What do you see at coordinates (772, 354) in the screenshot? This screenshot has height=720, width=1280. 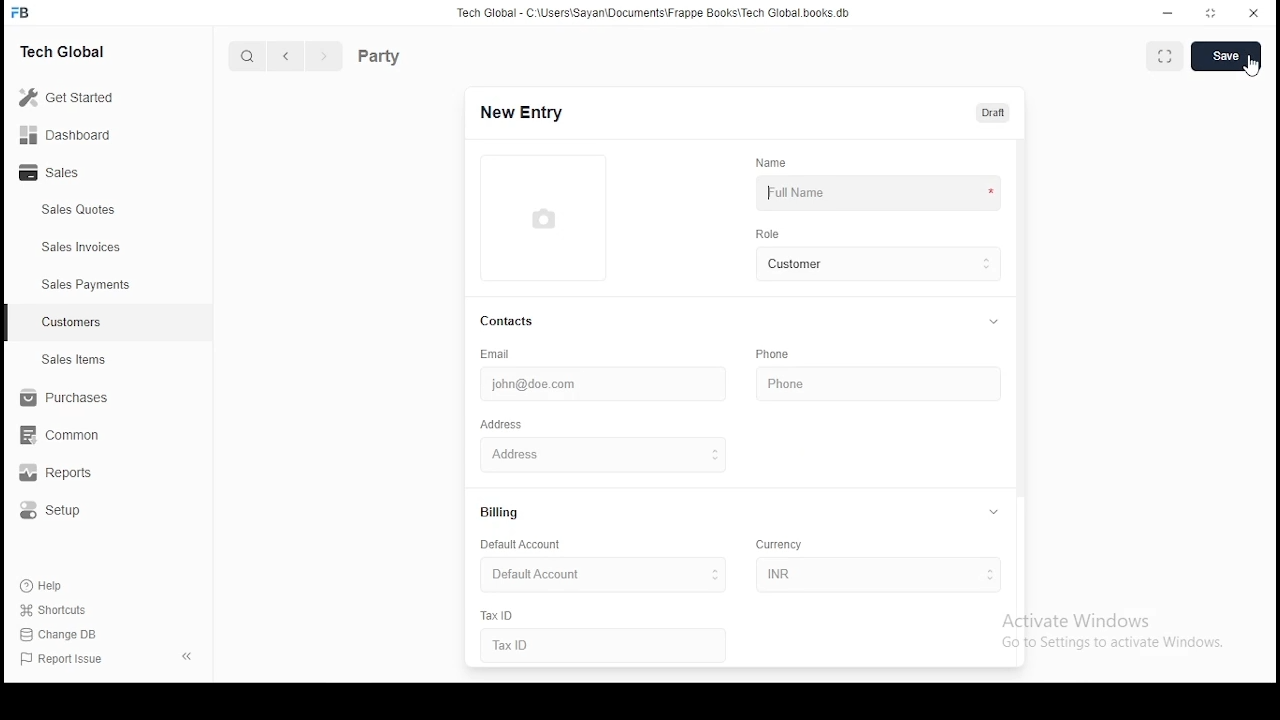 I see `phone` at bounding box center [772, 354].